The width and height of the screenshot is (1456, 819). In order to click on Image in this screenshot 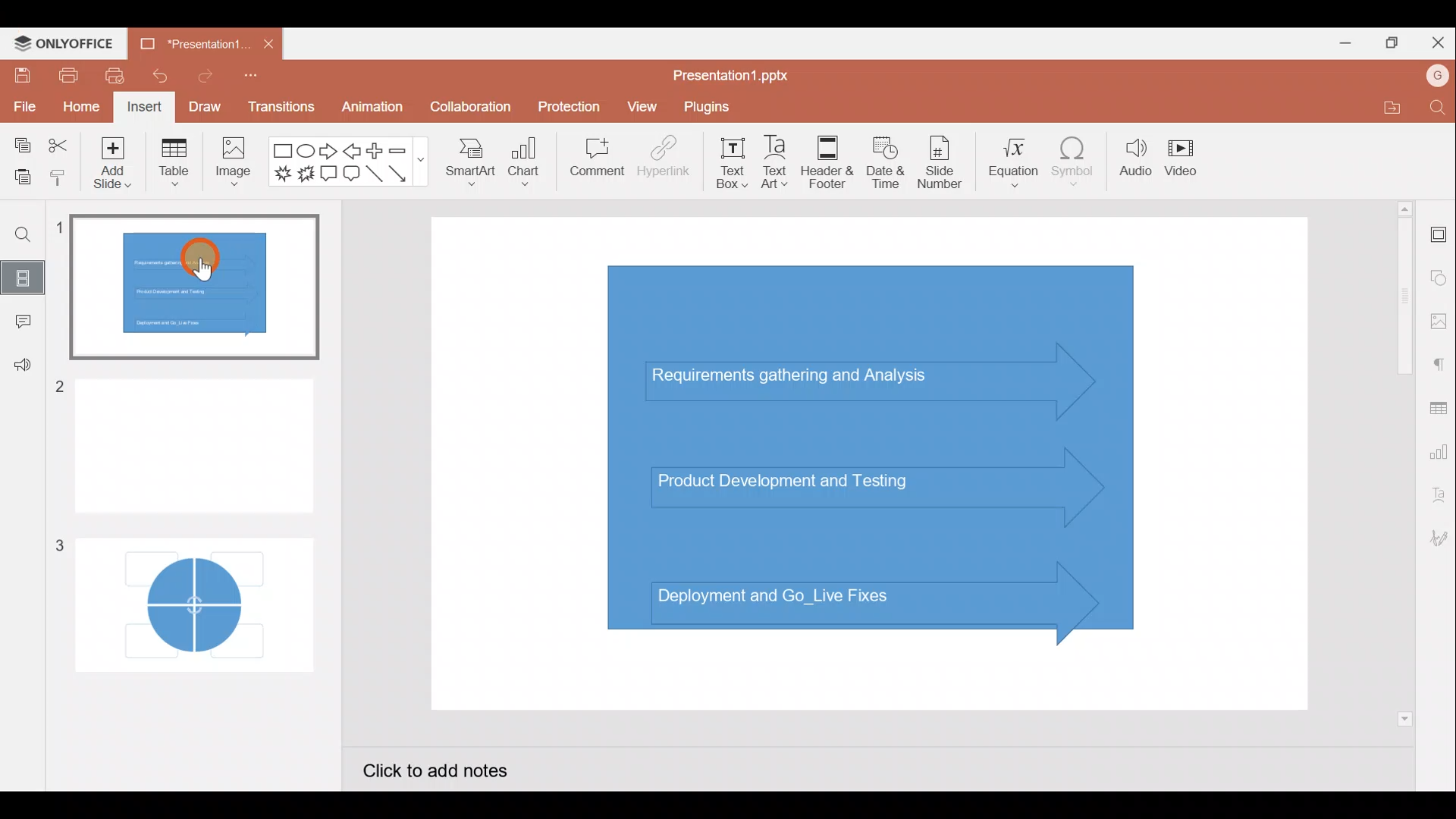, I will do `click(236, 168)`.